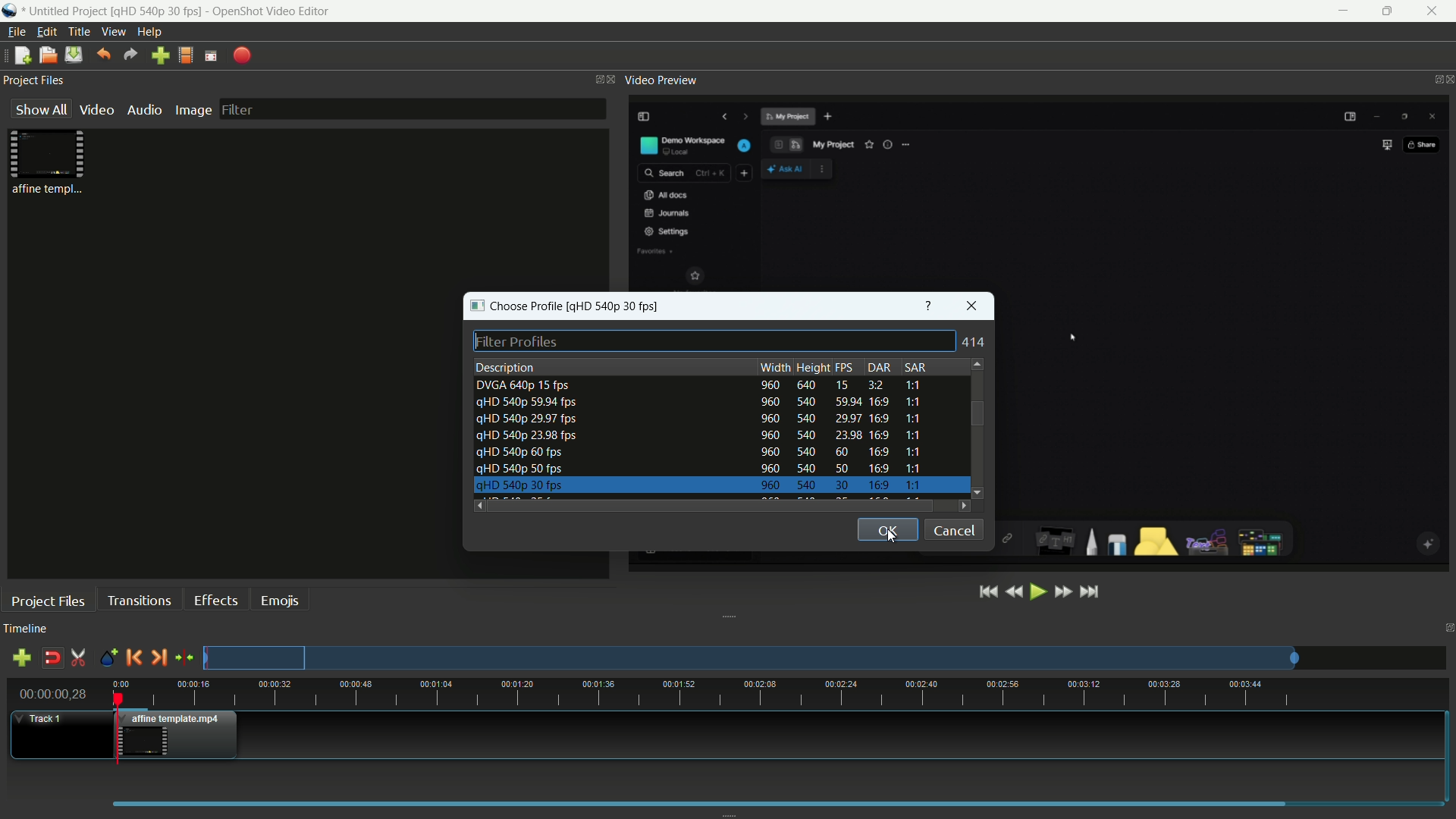  Describe the element at coordinates (216, 601) in the screenshot. I see `effects` at that location.